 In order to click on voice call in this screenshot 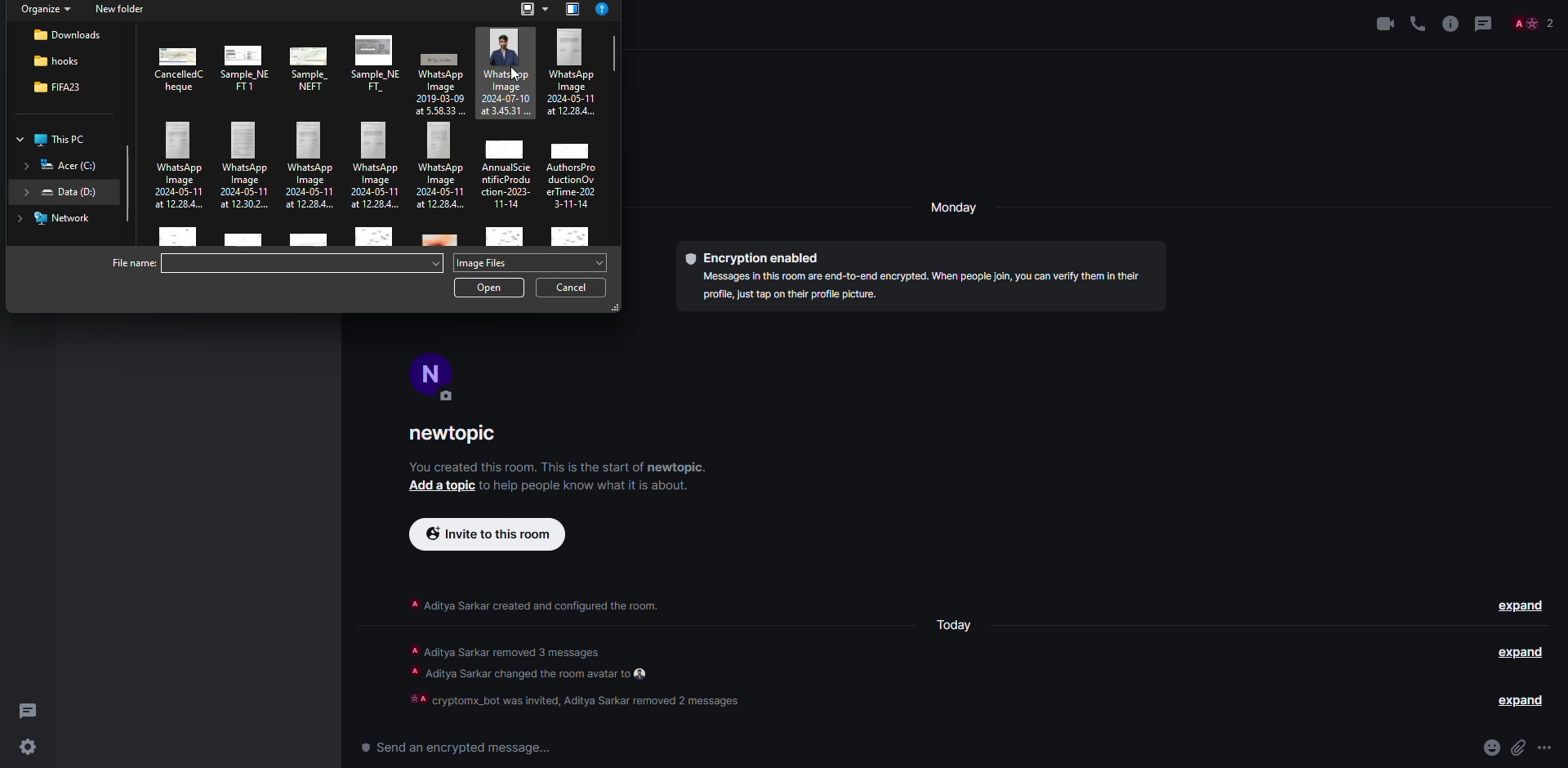, I will do `click(1417, 22)`.